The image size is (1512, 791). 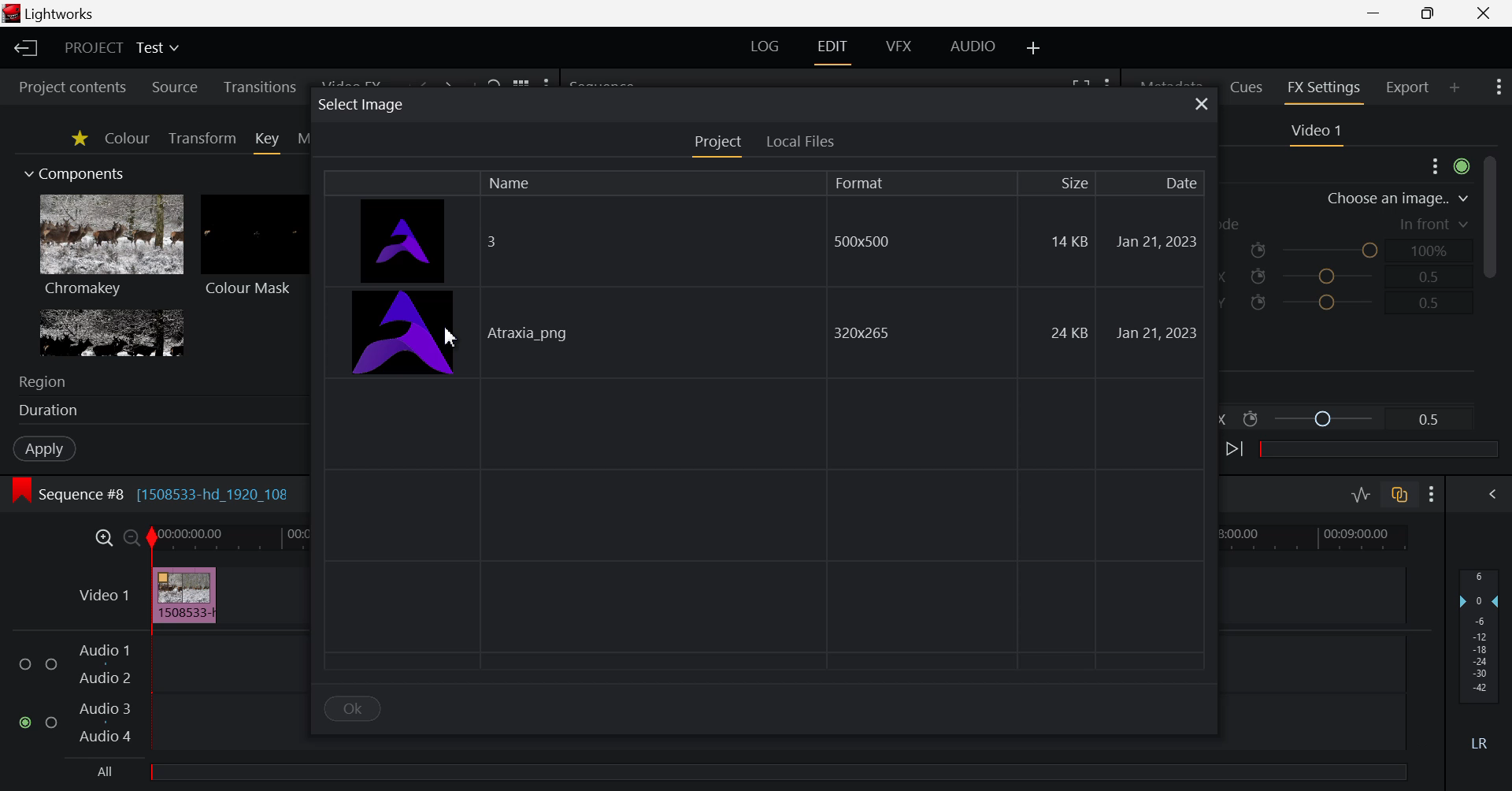 I want to click on Audio 3, so click(x=106, y=709).